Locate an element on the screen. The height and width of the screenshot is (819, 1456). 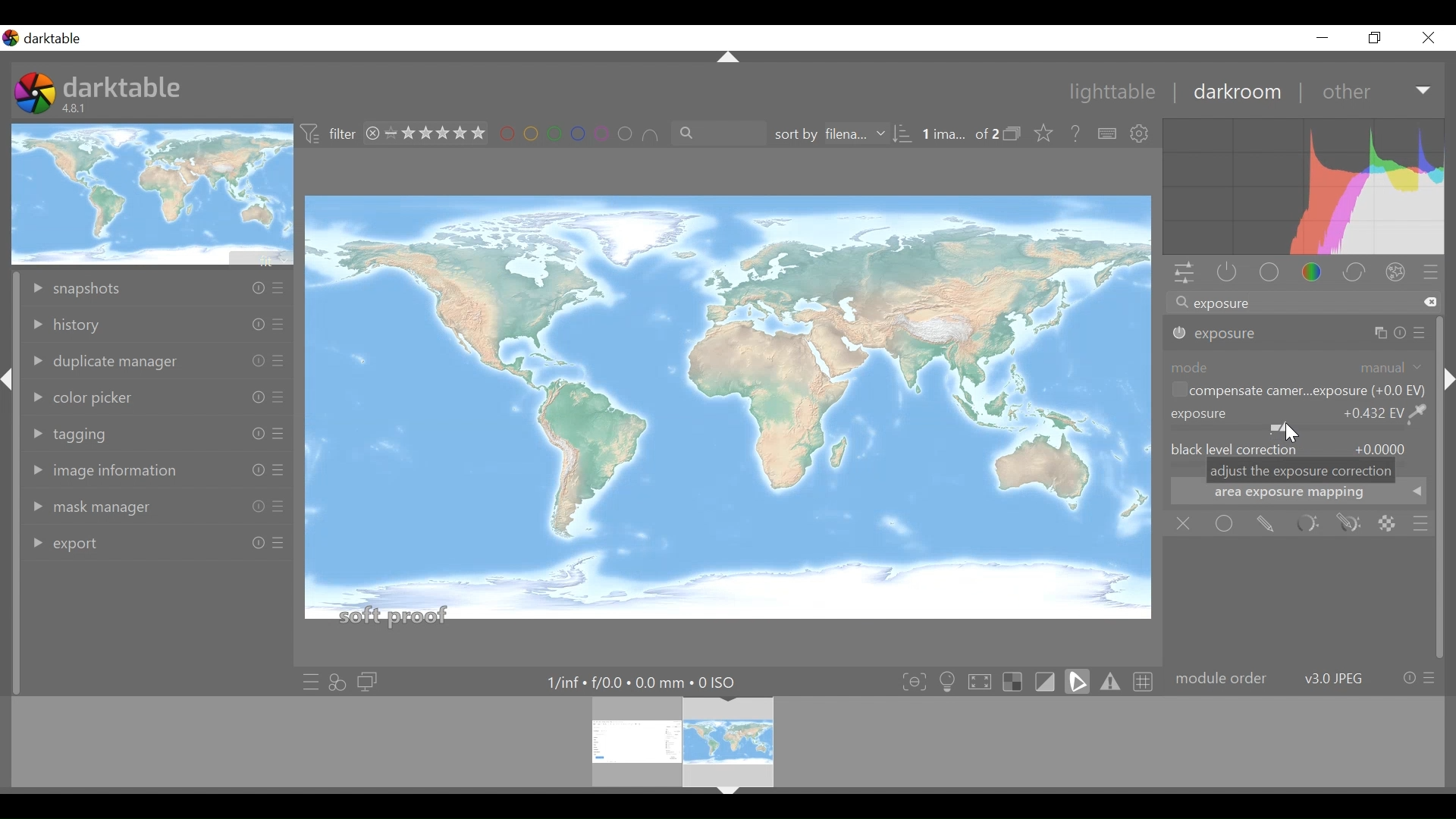
 is located at coordinates (278, 435).